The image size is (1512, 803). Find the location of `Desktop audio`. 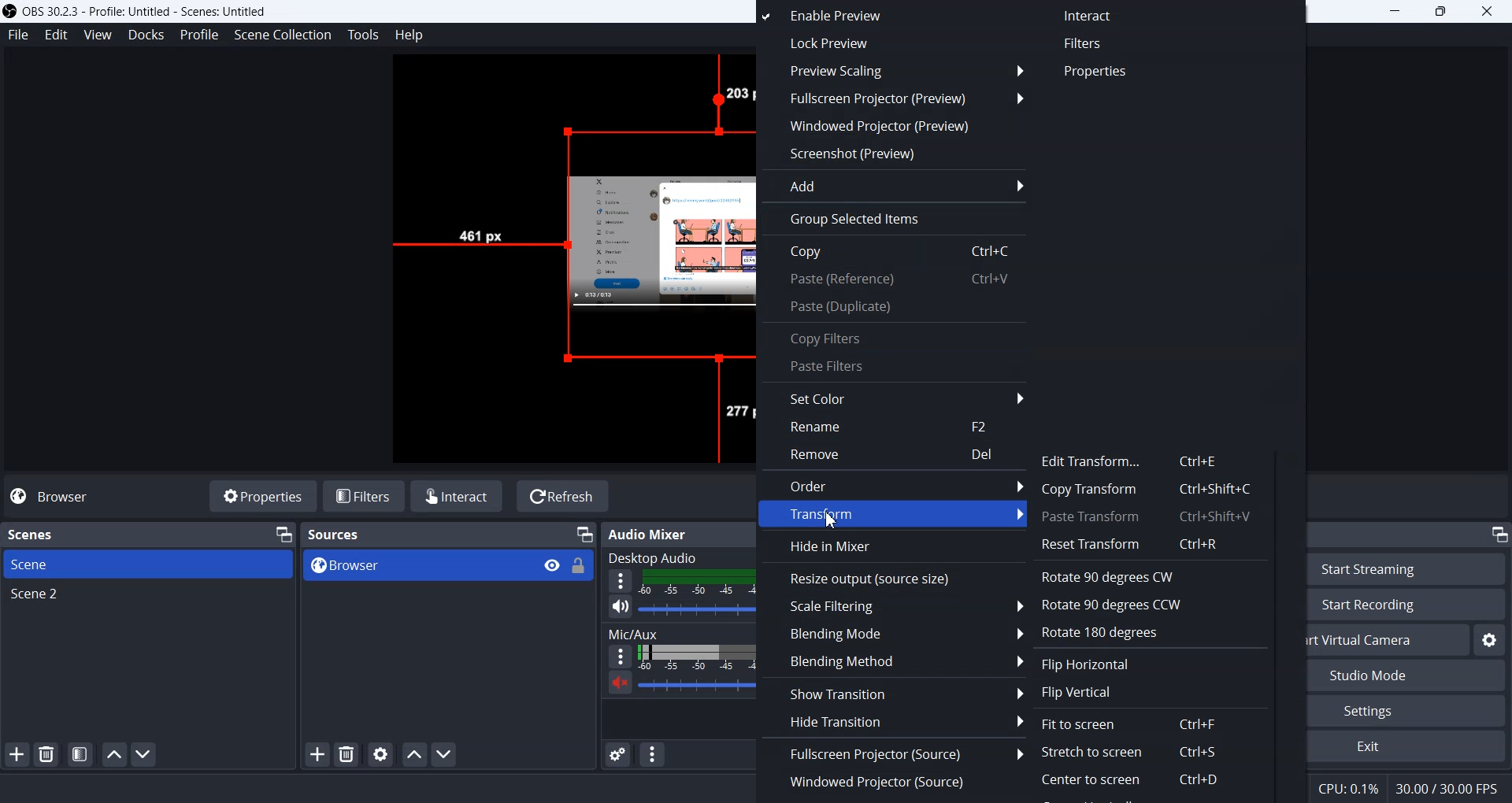

Desktop audio is located at coordinates (679, 557).